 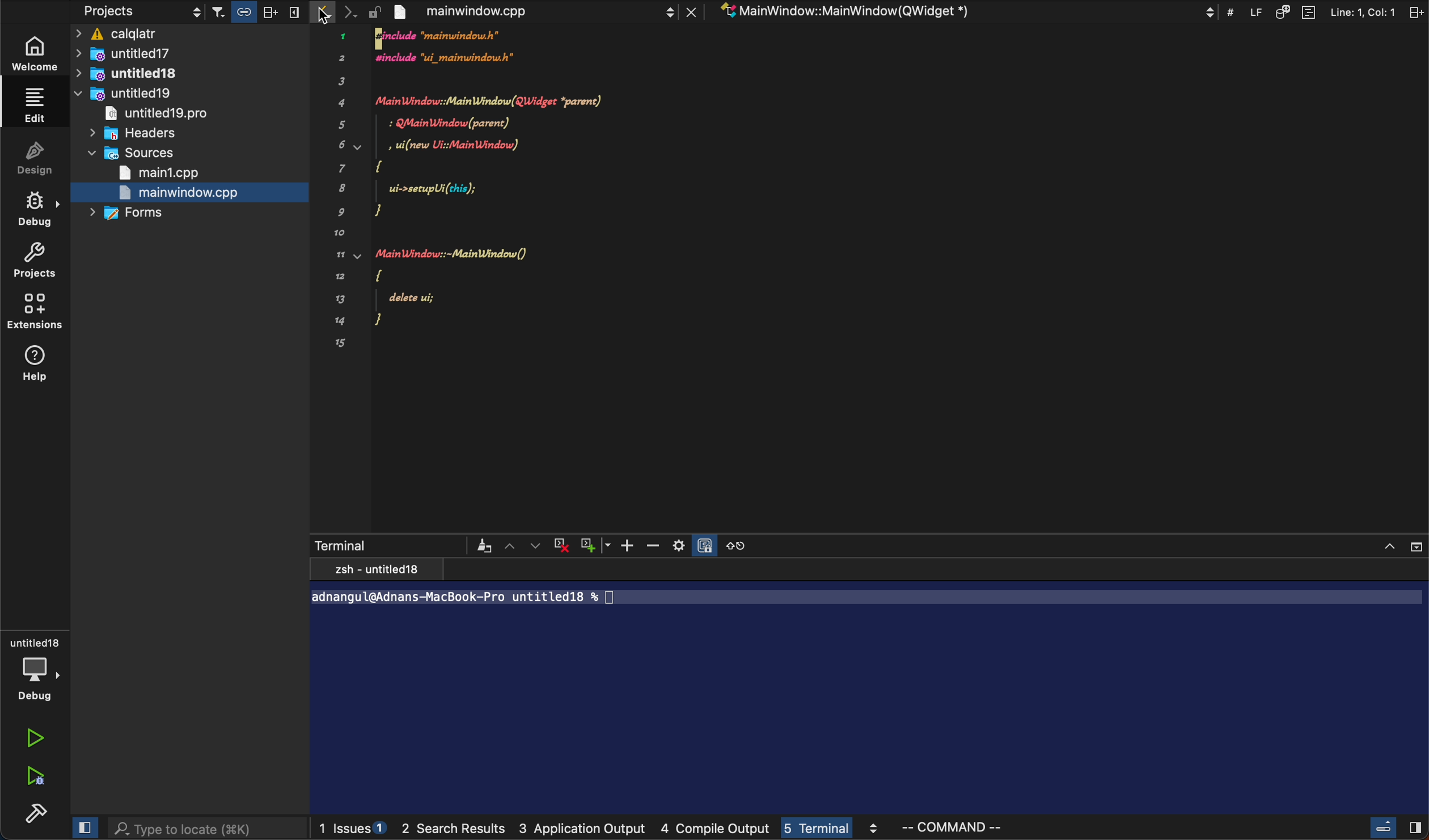 I want to click on build, so click(x=33, y=816).